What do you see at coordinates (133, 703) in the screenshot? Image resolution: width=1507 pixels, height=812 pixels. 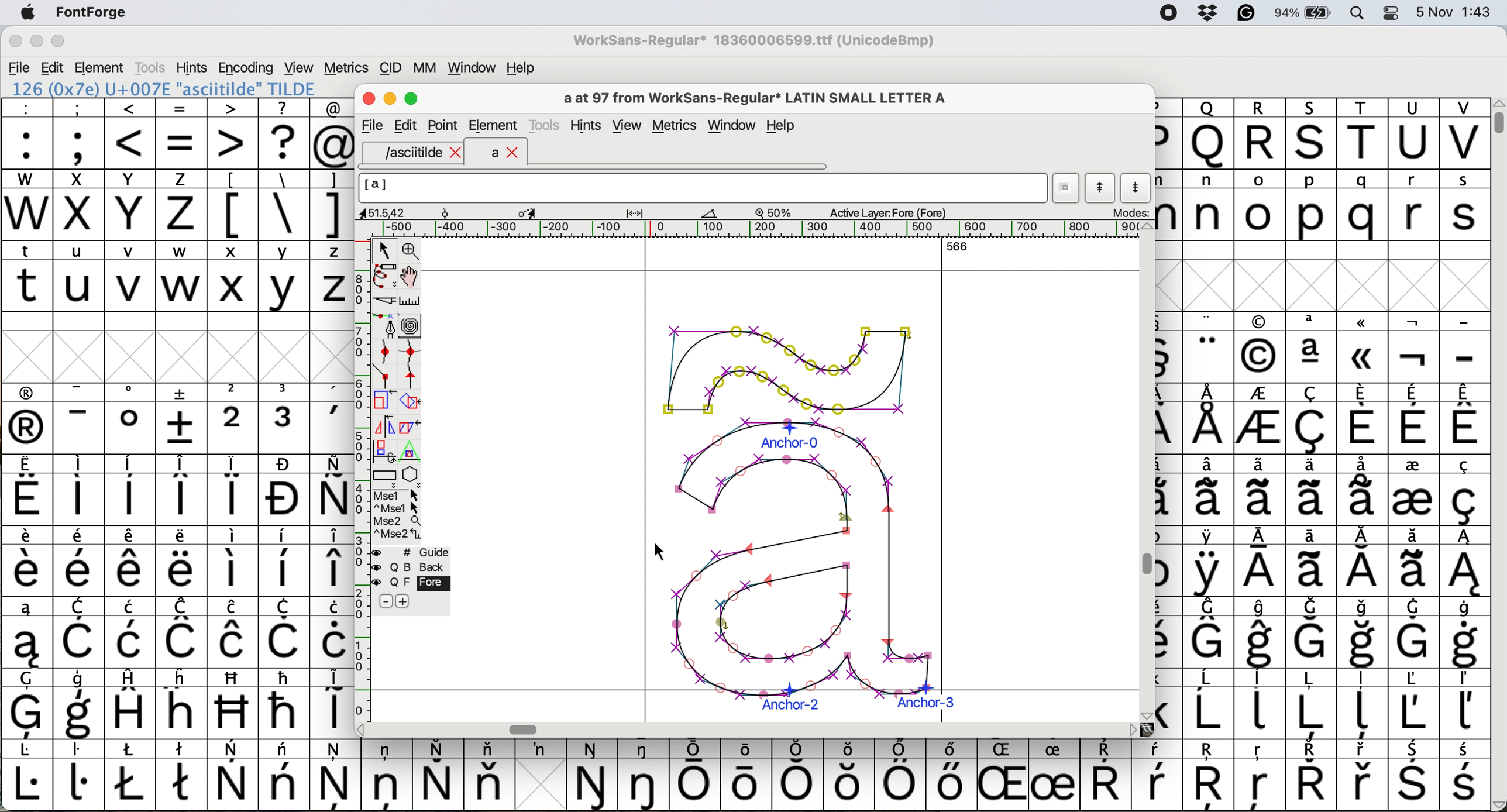 I see `symbol` at bounding box center [133, 703].